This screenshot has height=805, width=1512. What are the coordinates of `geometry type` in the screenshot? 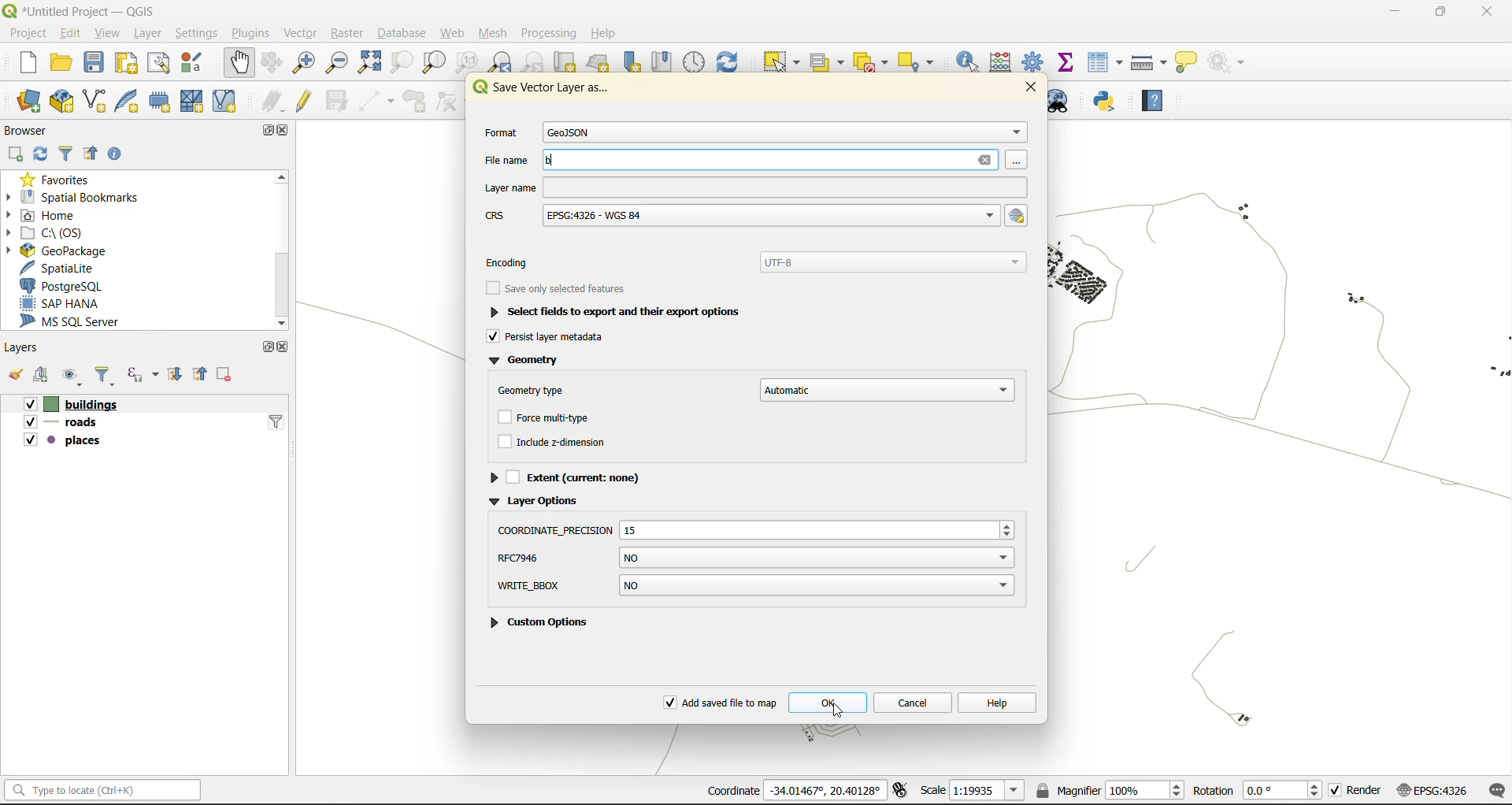 It's located at (754, 388).